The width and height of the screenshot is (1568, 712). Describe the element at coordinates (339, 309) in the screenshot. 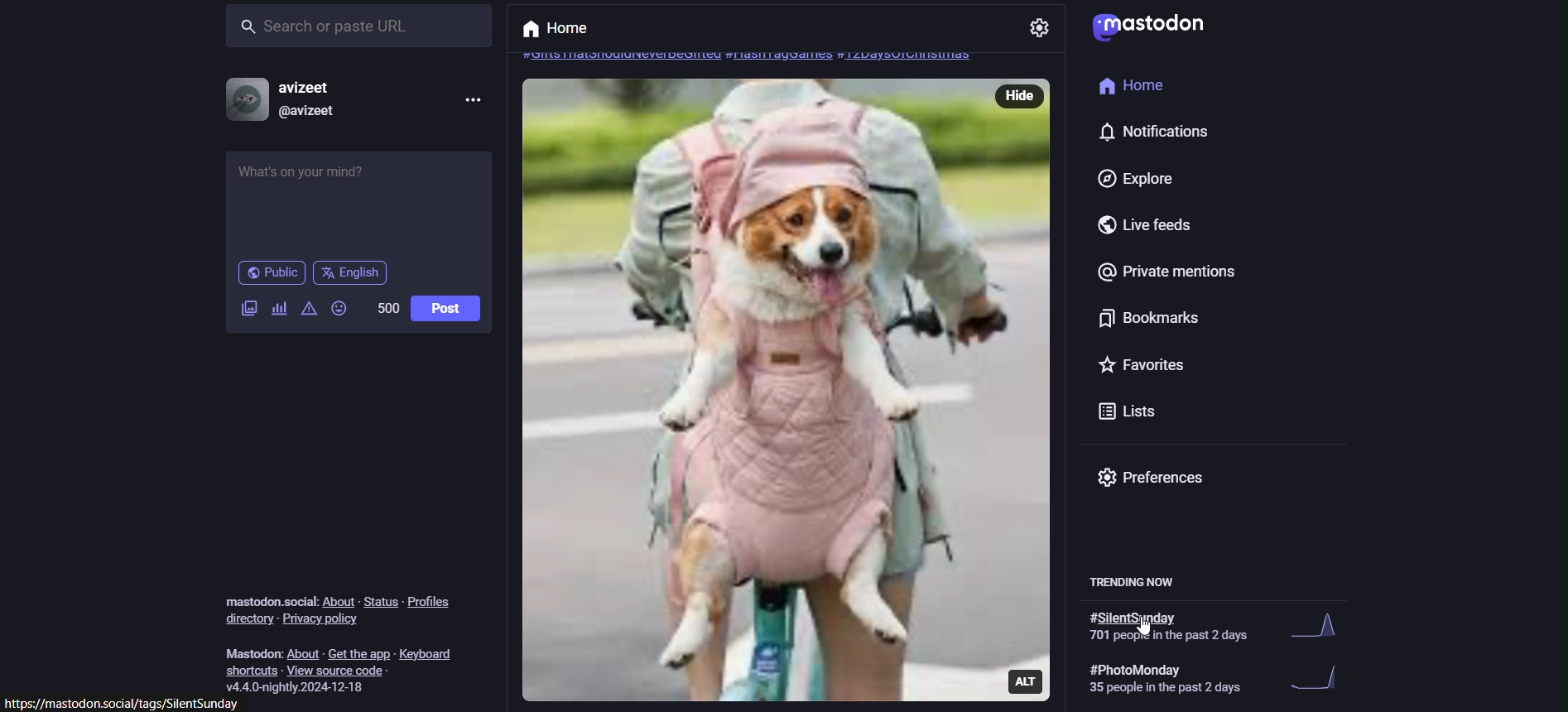

I see `add emojis` at that location.